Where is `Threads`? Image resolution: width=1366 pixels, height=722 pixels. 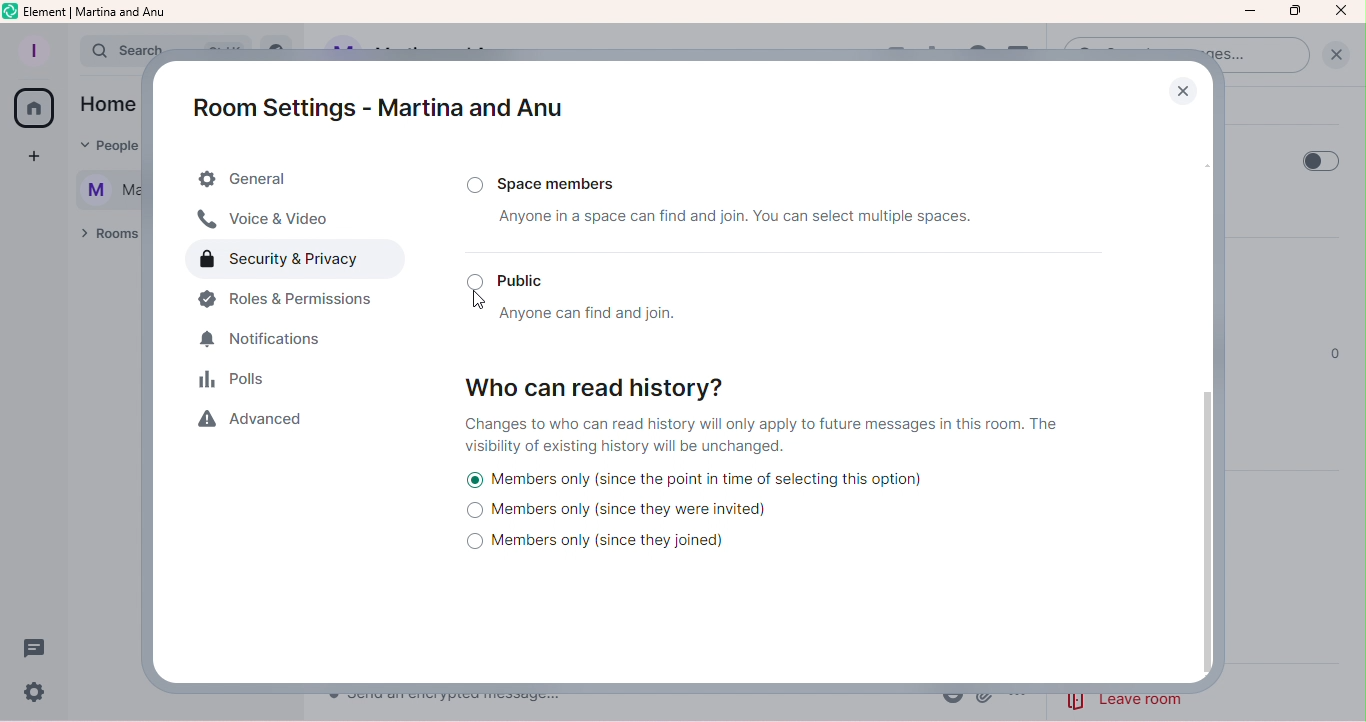 Threads is located at coordinates (37, 644).